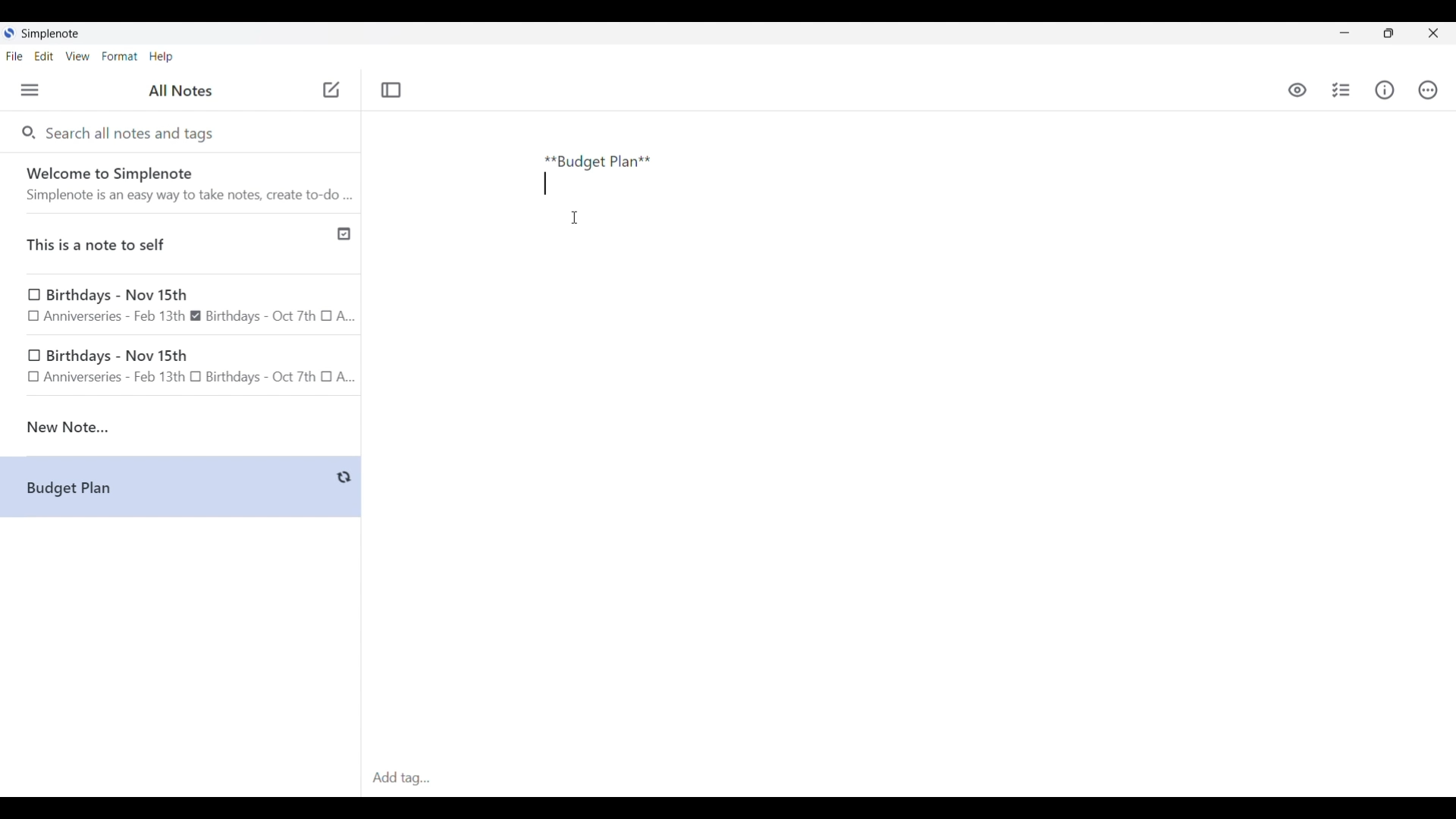 The image size is (1456, 819). I want to click on Info, so click(1385, 89).